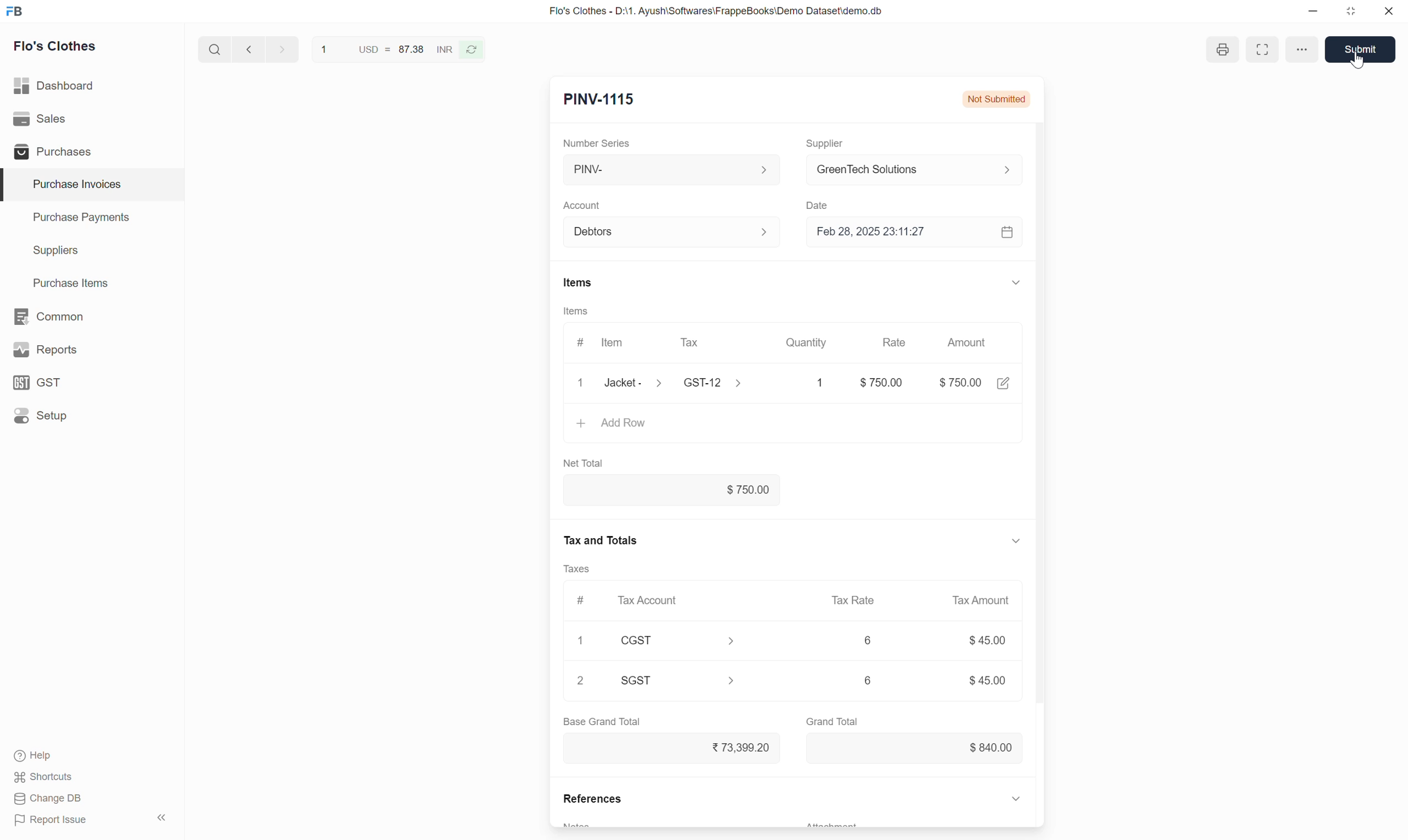 The width and height of the screenshot is (1408, 840). Describe the element at coordinates (384, 49) in the screenshot. I see `1 USD = 87.38 INR` at that location.